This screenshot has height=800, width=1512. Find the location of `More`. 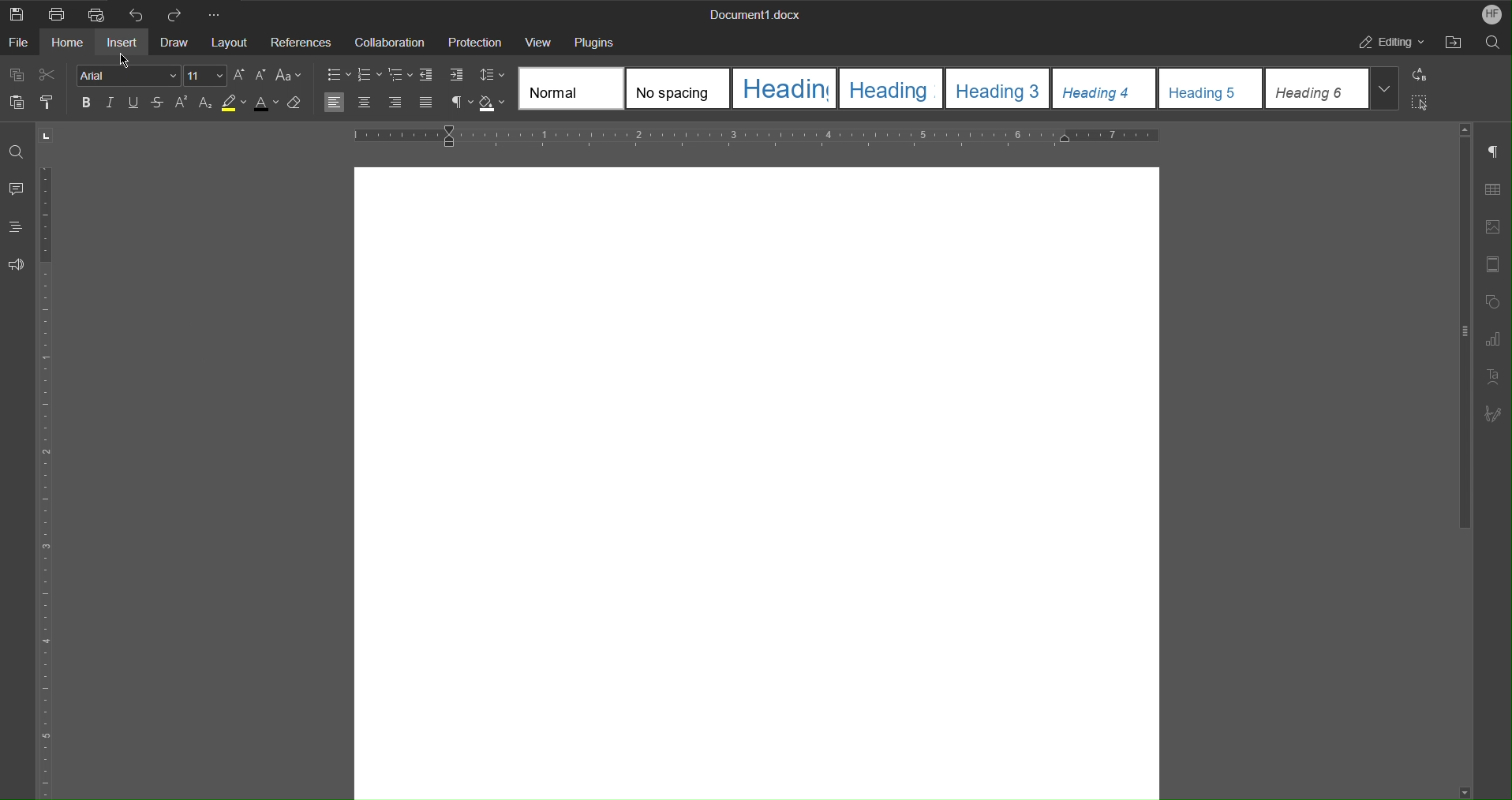

More is located at coordinates (216, 13).